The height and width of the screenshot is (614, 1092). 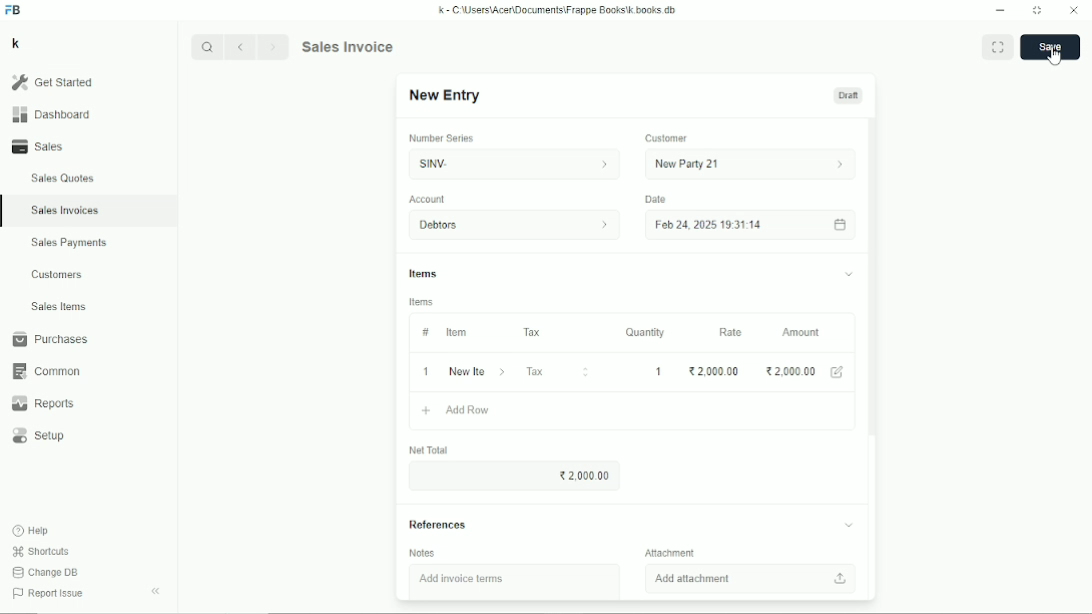 I want to click on Items, so click(x=422, y=302).